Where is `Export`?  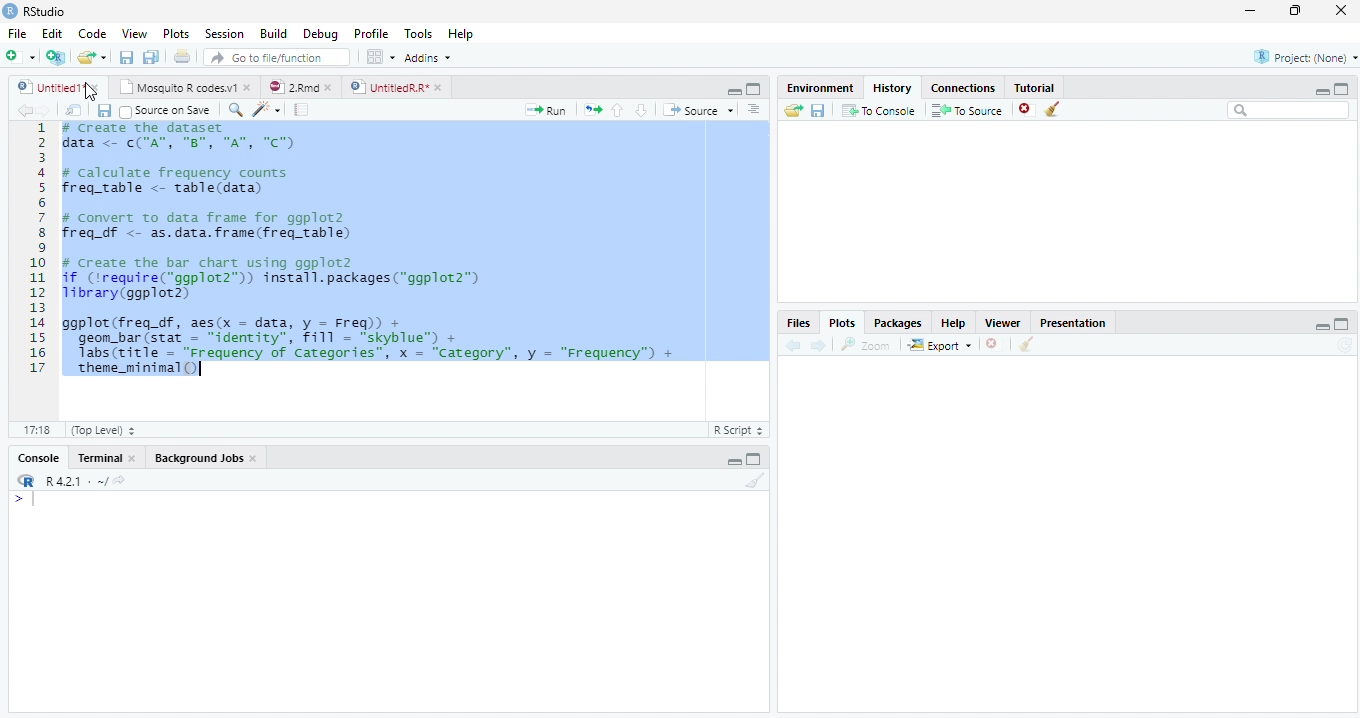 Export is located at coordinates (938, 345).